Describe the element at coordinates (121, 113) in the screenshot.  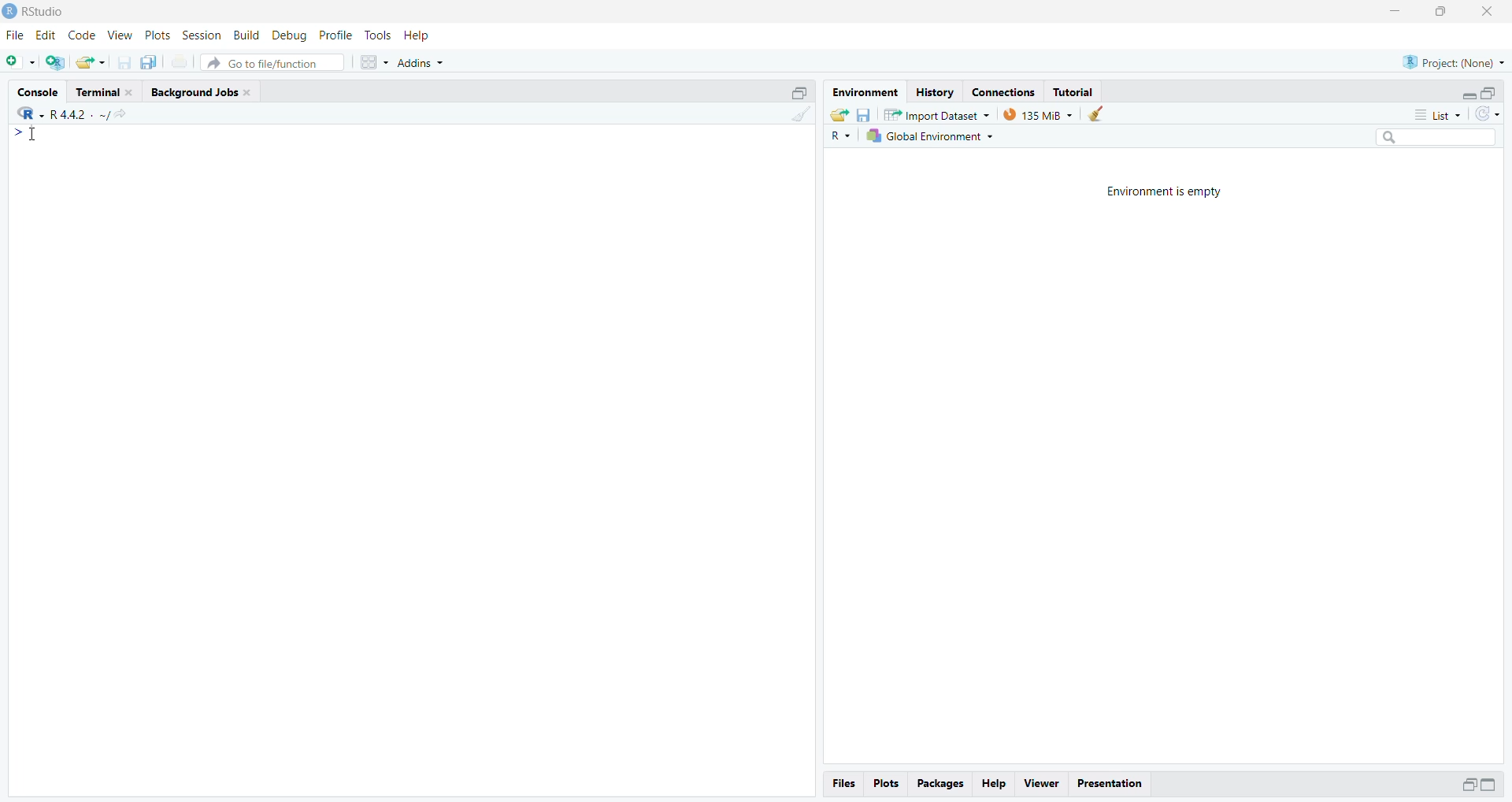
I see `View the current working directory` at that location.